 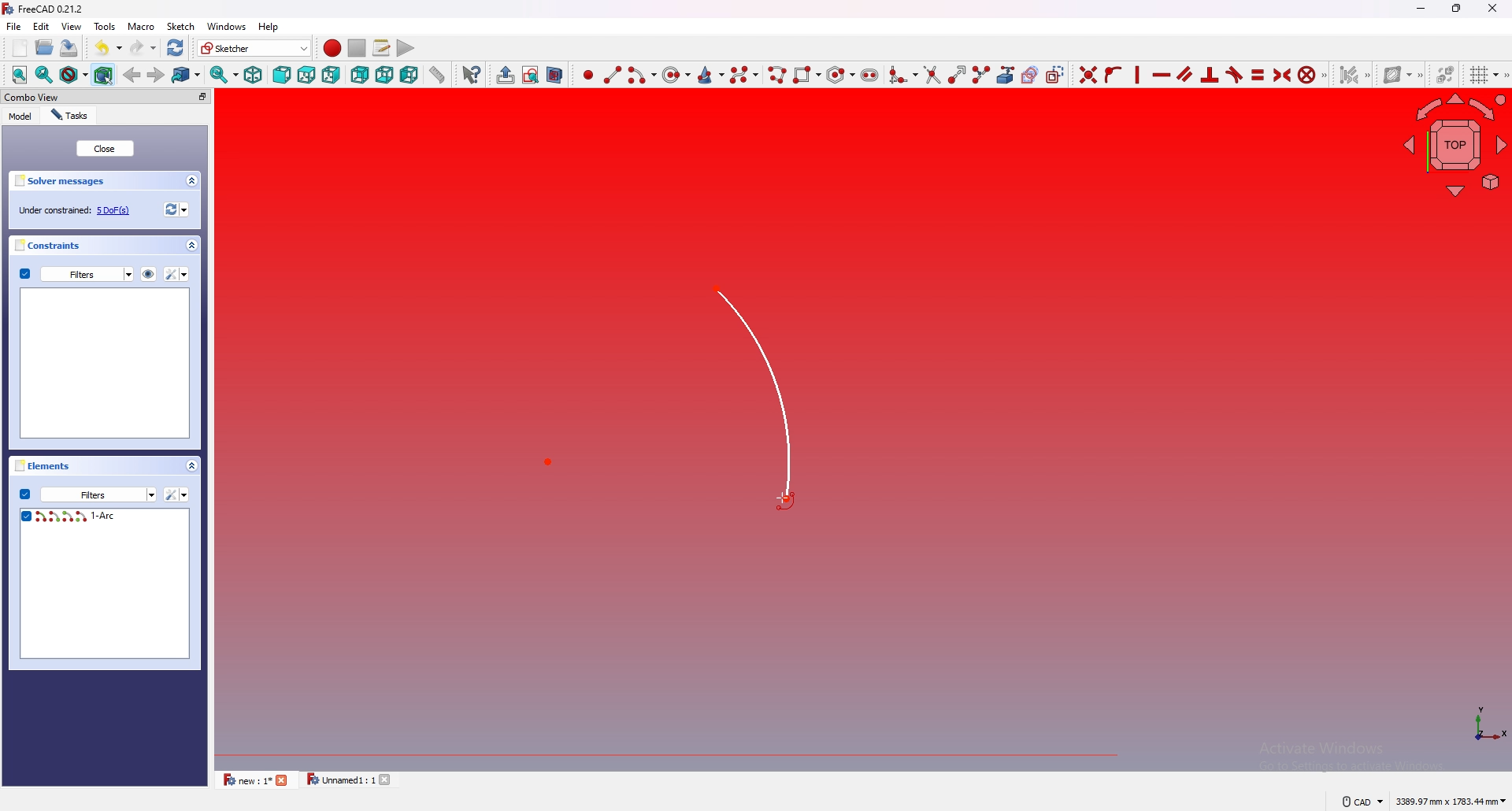 I want to click on windows, so click(x=225, y=26).